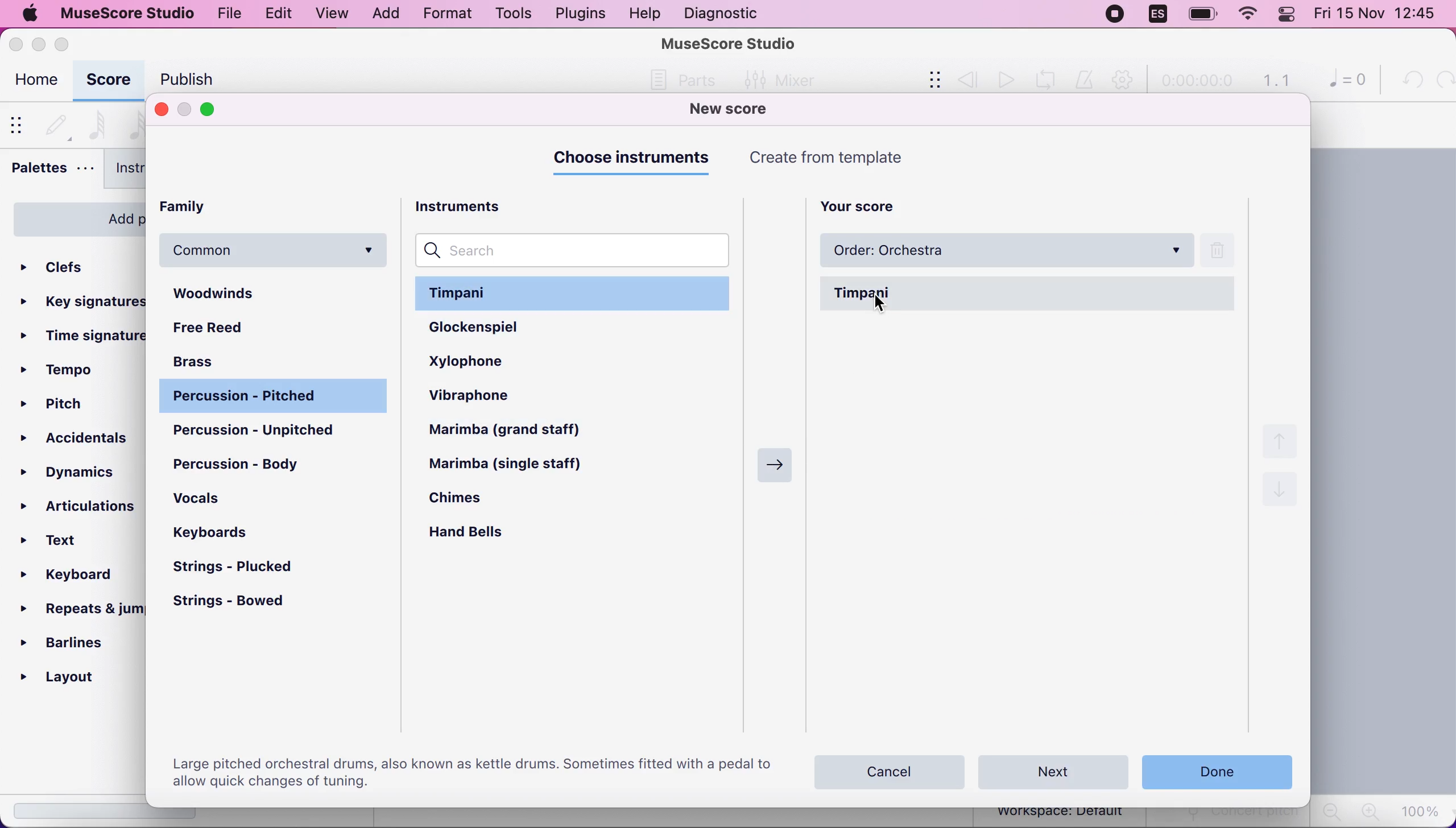  What do you see at coordinates (1289, 15) in the screenshot?
I see `panel control` at bounding box center [1289, 15].